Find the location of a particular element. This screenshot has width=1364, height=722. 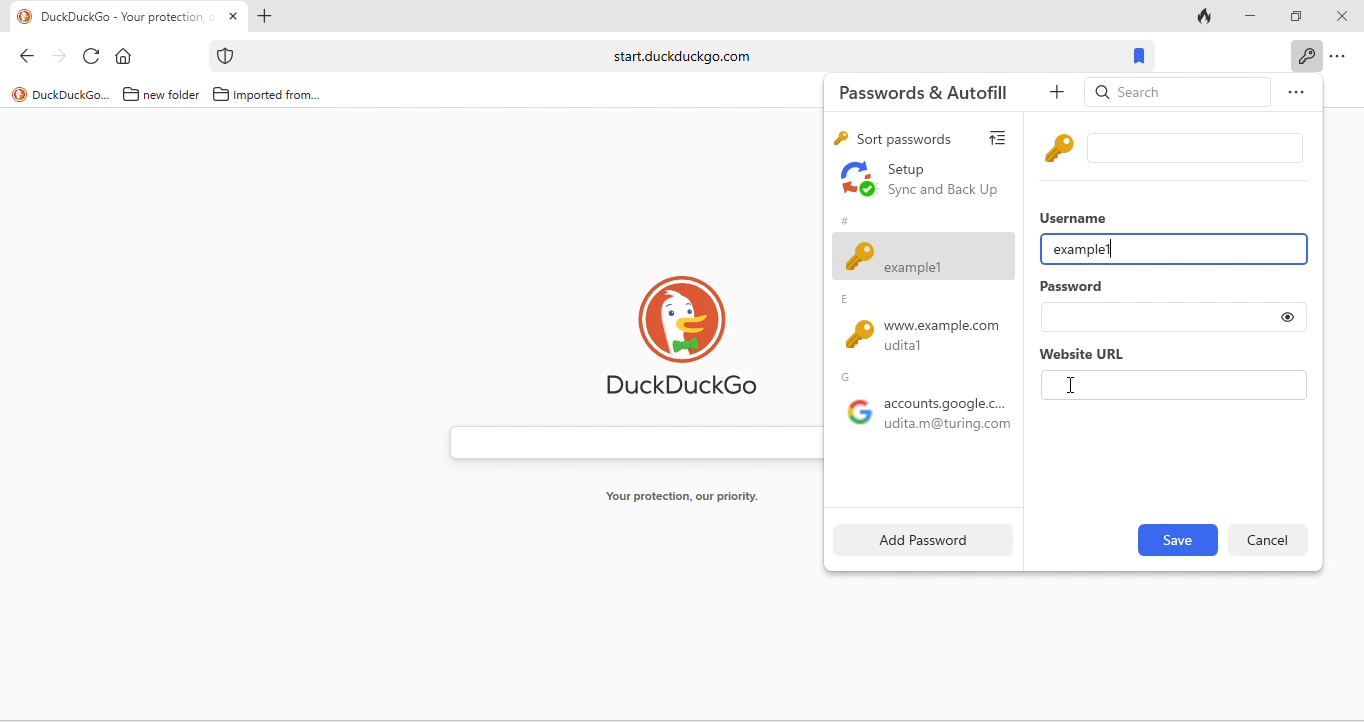

passwords and autofill is located at coordinates (936, 91).